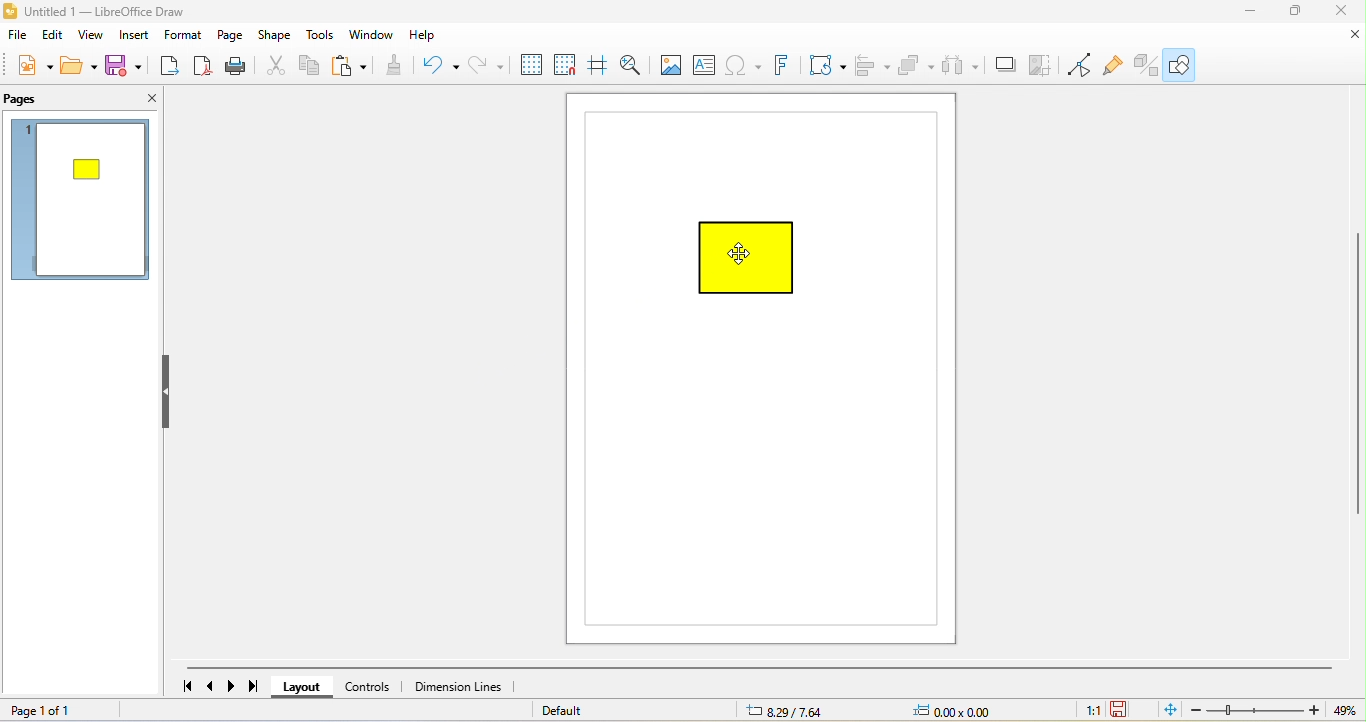 The height and width of the screenshot is (722, 1366). I want to click on undo, so click(437, 65).